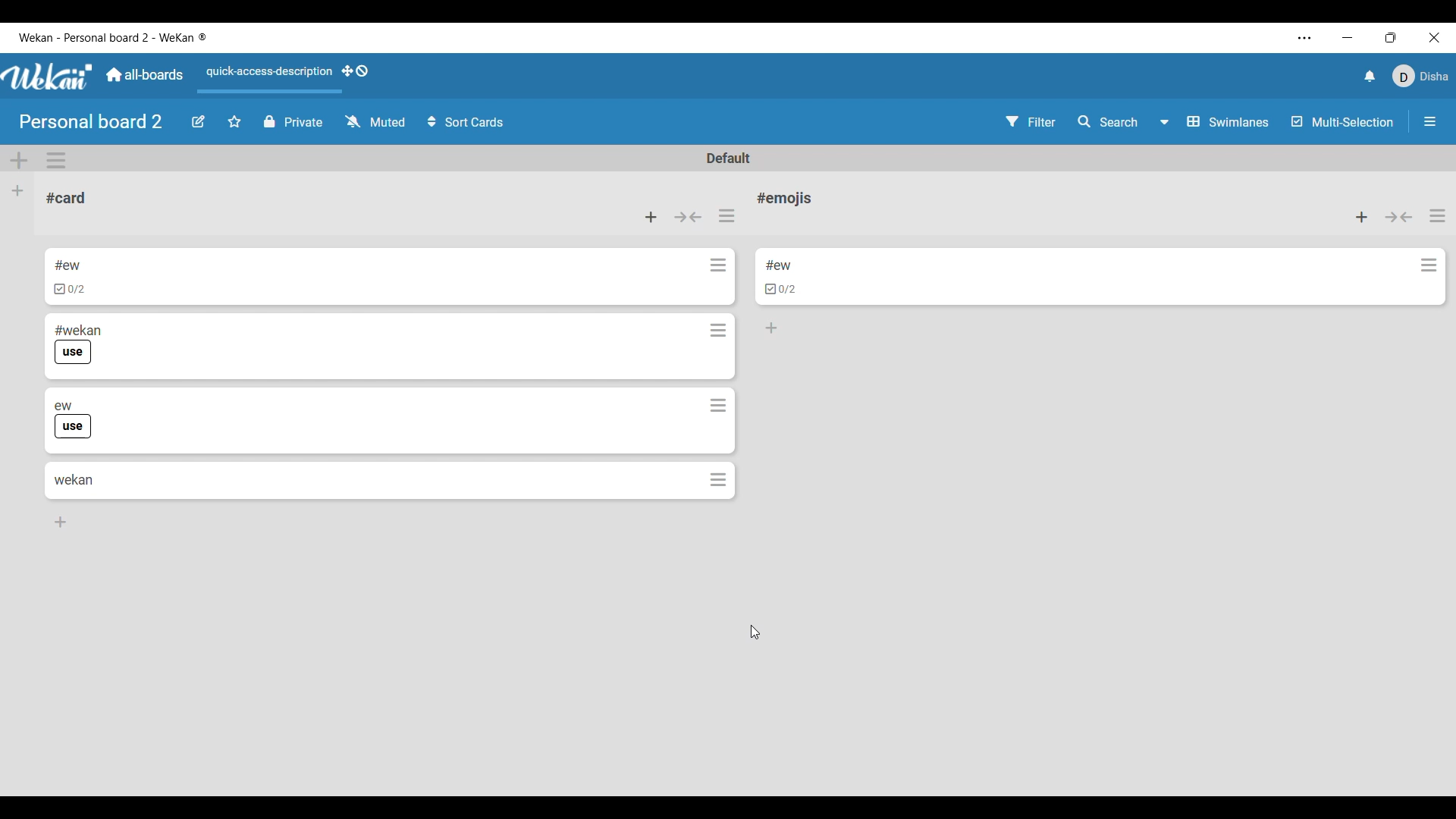  I want to click on Card 3, so click(167, 400).